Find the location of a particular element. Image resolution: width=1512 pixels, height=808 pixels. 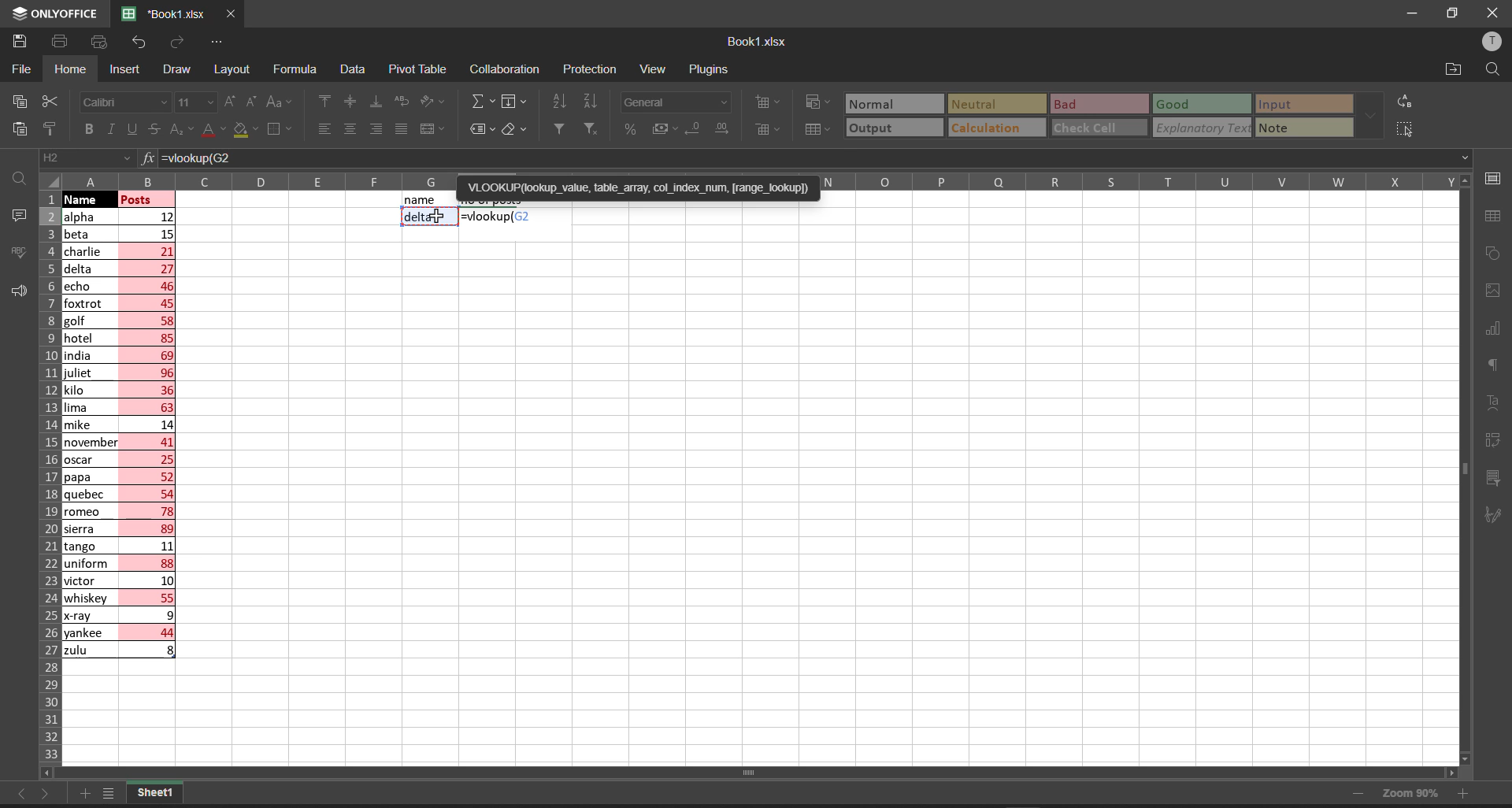

feedback and support is located at coordinates (14, 291).